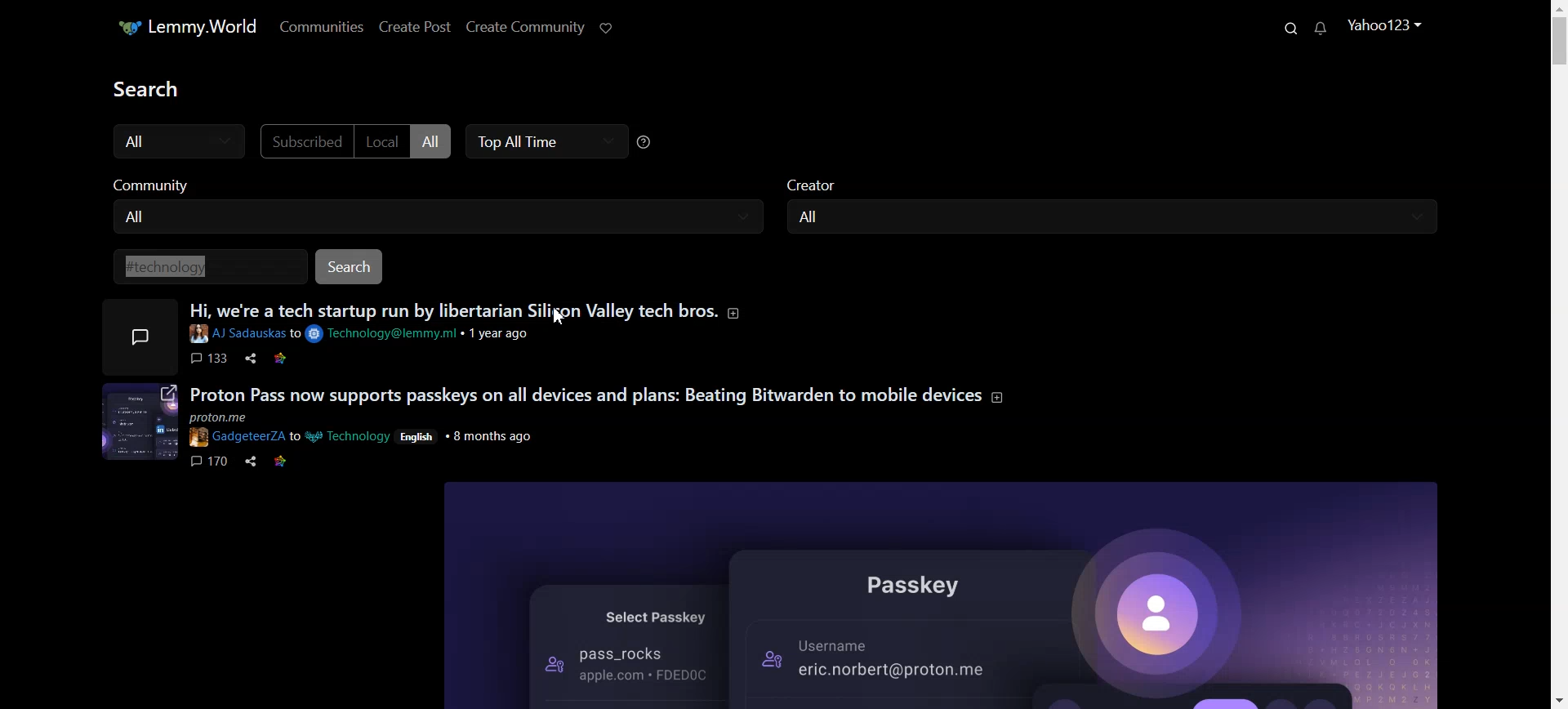  I want to click on gadgeteerZA, so click(236, 437).